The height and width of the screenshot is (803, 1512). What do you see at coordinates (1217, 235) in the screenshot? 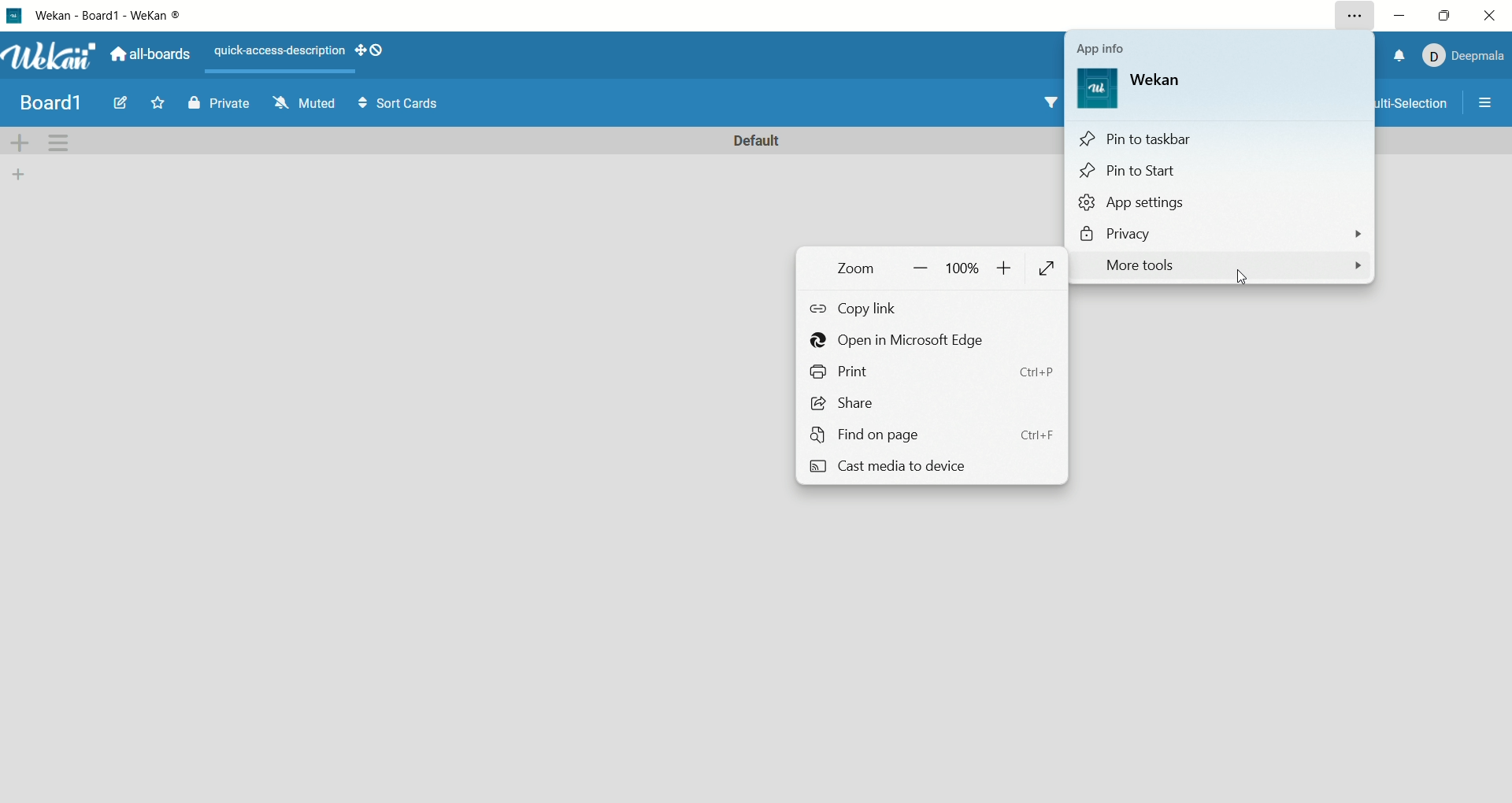
I see `privacy` at bounding box center [1217, 235].